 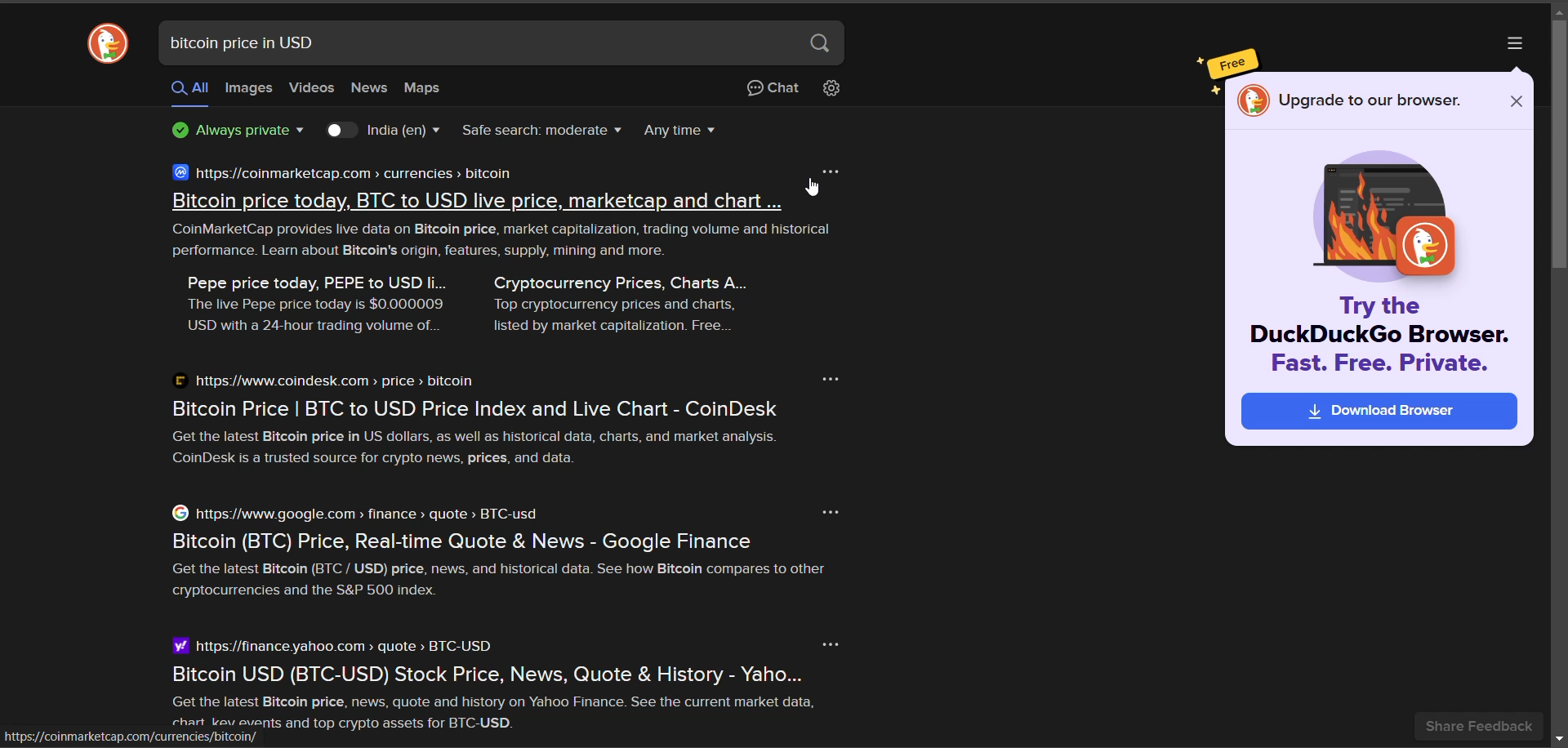 I want to click on toggle country results key, so click(x=337, y=132).